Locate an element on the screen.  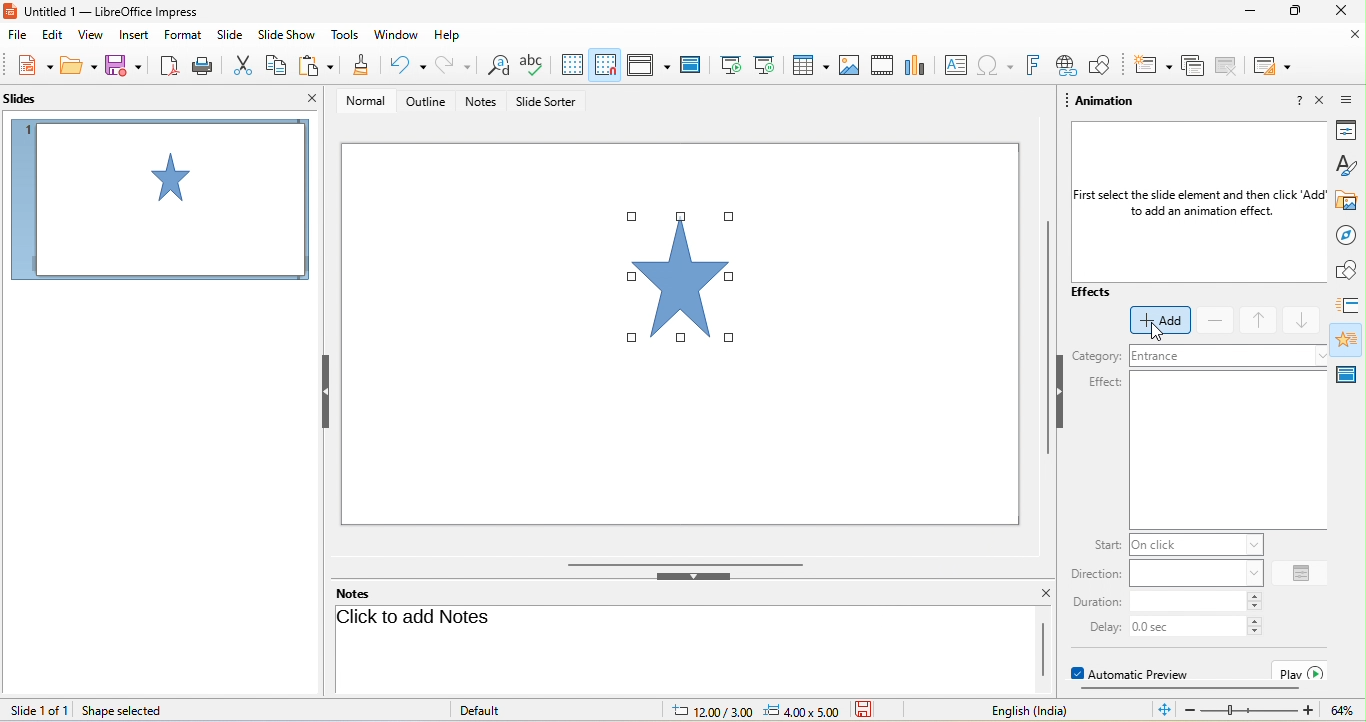
video/audio is located at coordinates (882, 64).